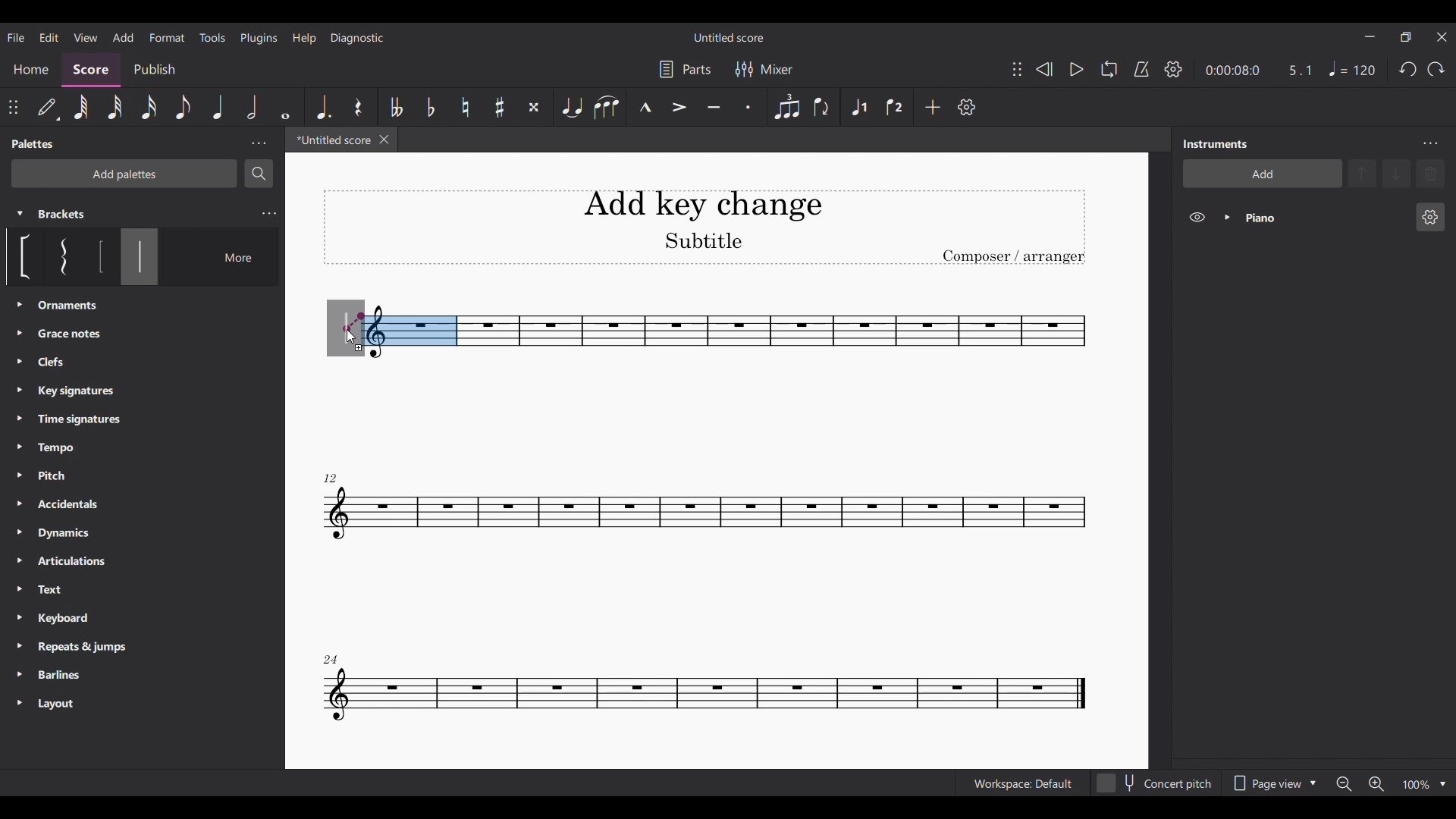 The height and width of the screenshot is (819, 1456). Describe the element at coordinates (154, 70) in the screenshot. I see `Publish section` at that location.